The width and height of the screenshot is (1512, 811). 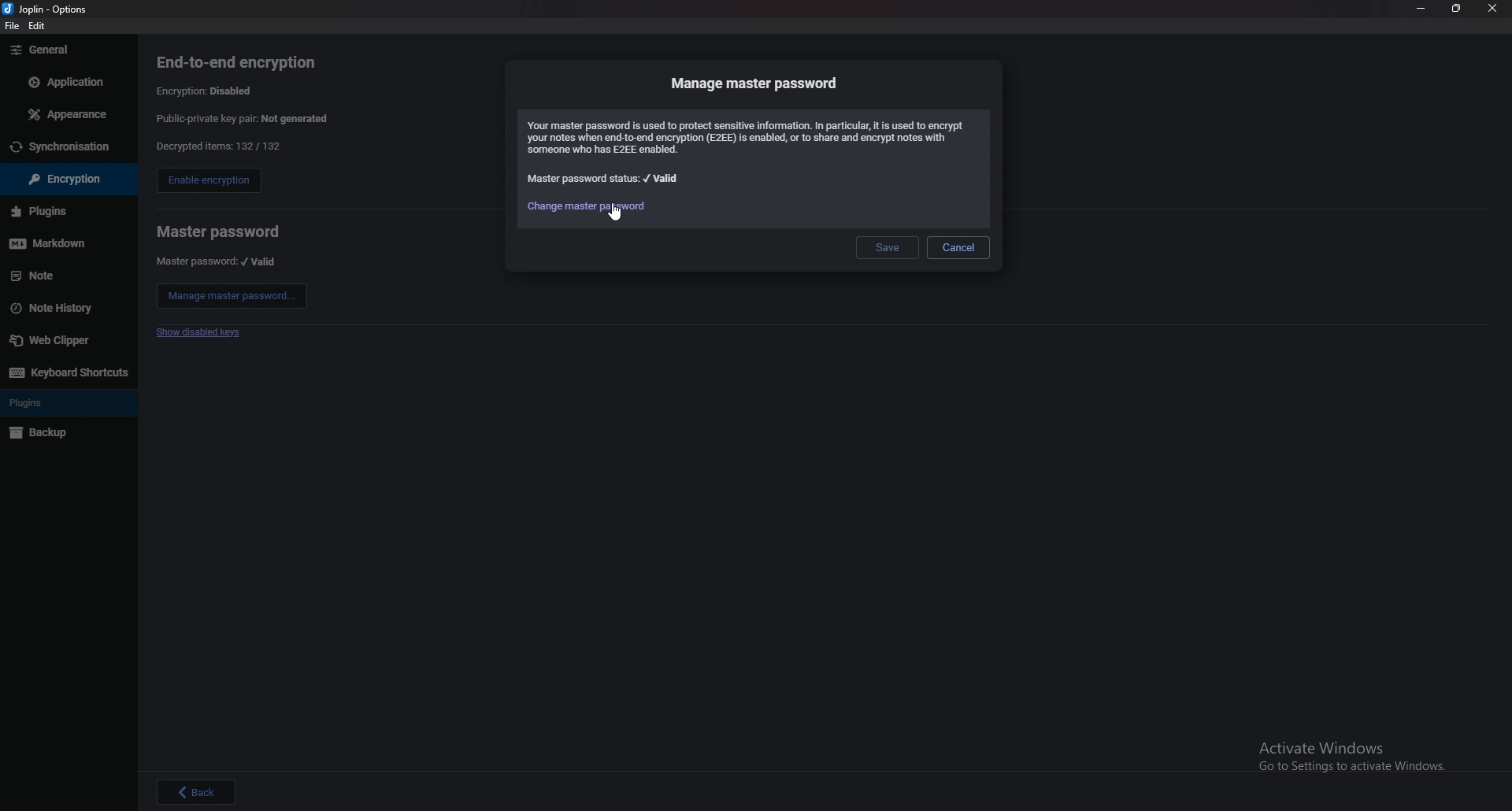 I want to click on plugins, so click(x=61, y=211).